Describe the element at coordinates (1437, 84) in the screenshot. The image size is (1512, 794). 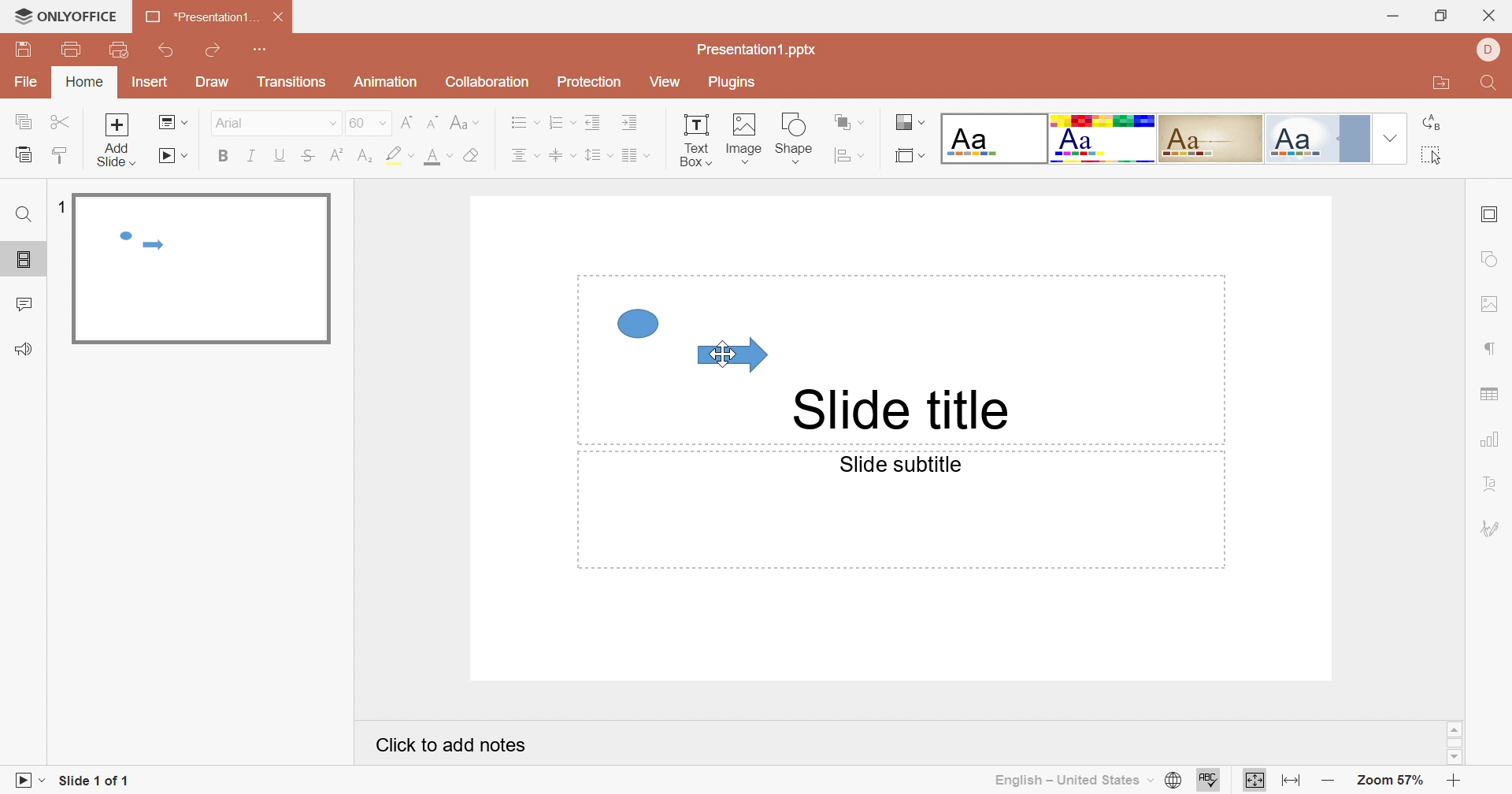
I see `Open file location` at that location.